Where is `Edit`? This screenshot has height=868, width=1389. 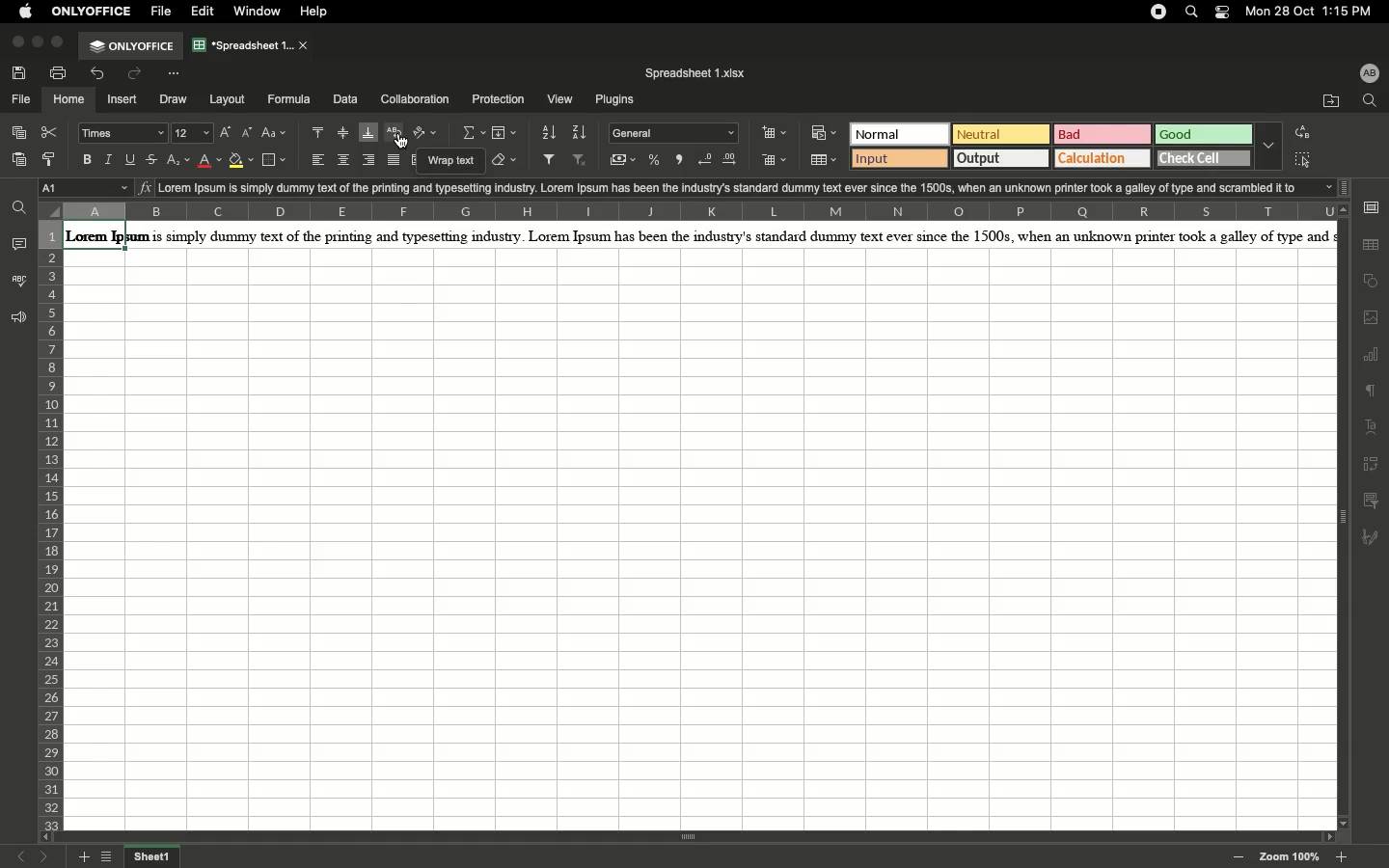 Edit is located at coordinates (205, 11).